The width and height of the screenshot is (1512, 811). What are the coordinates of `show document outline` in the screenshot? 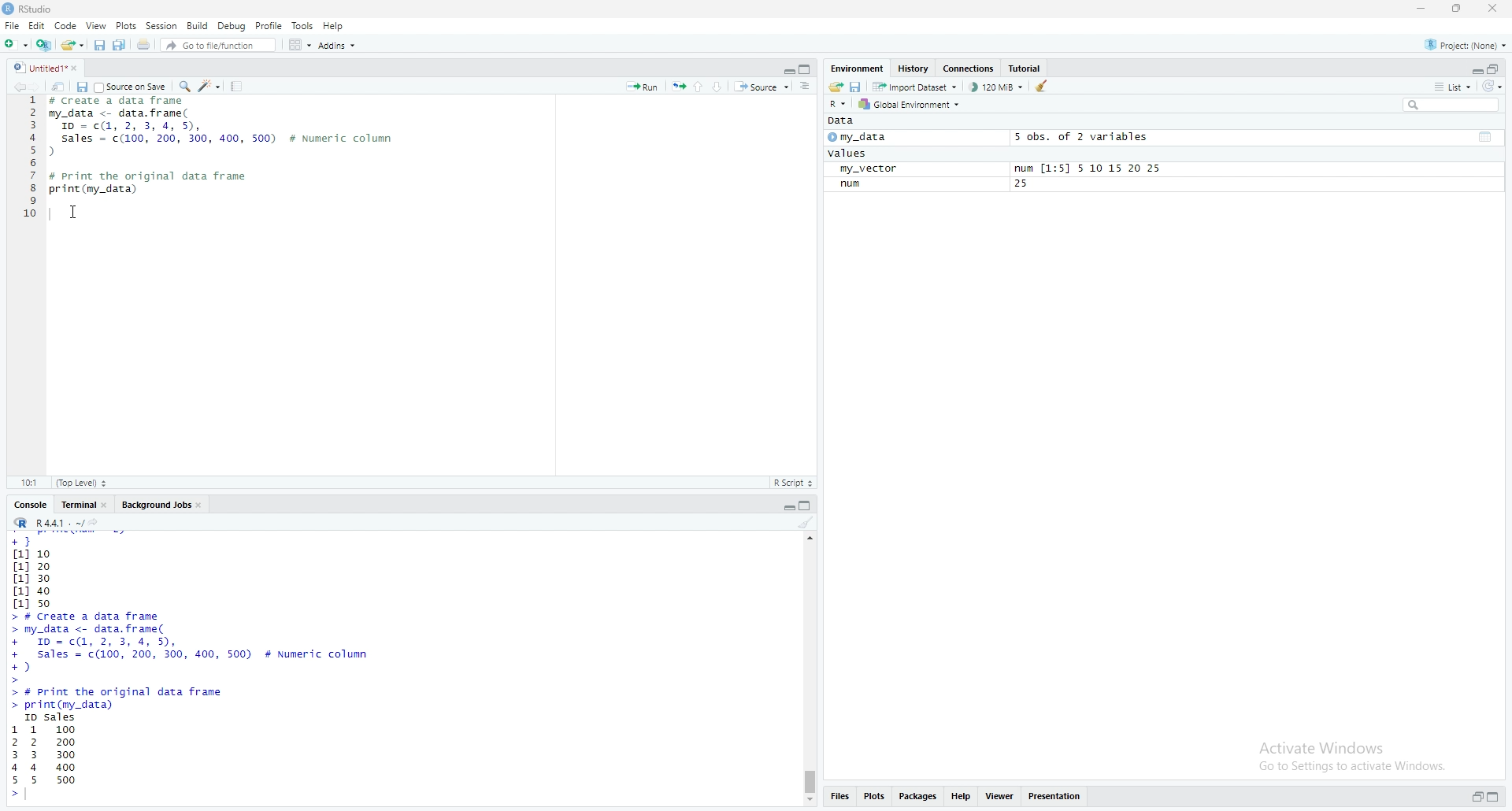 It's located at (806, 87).